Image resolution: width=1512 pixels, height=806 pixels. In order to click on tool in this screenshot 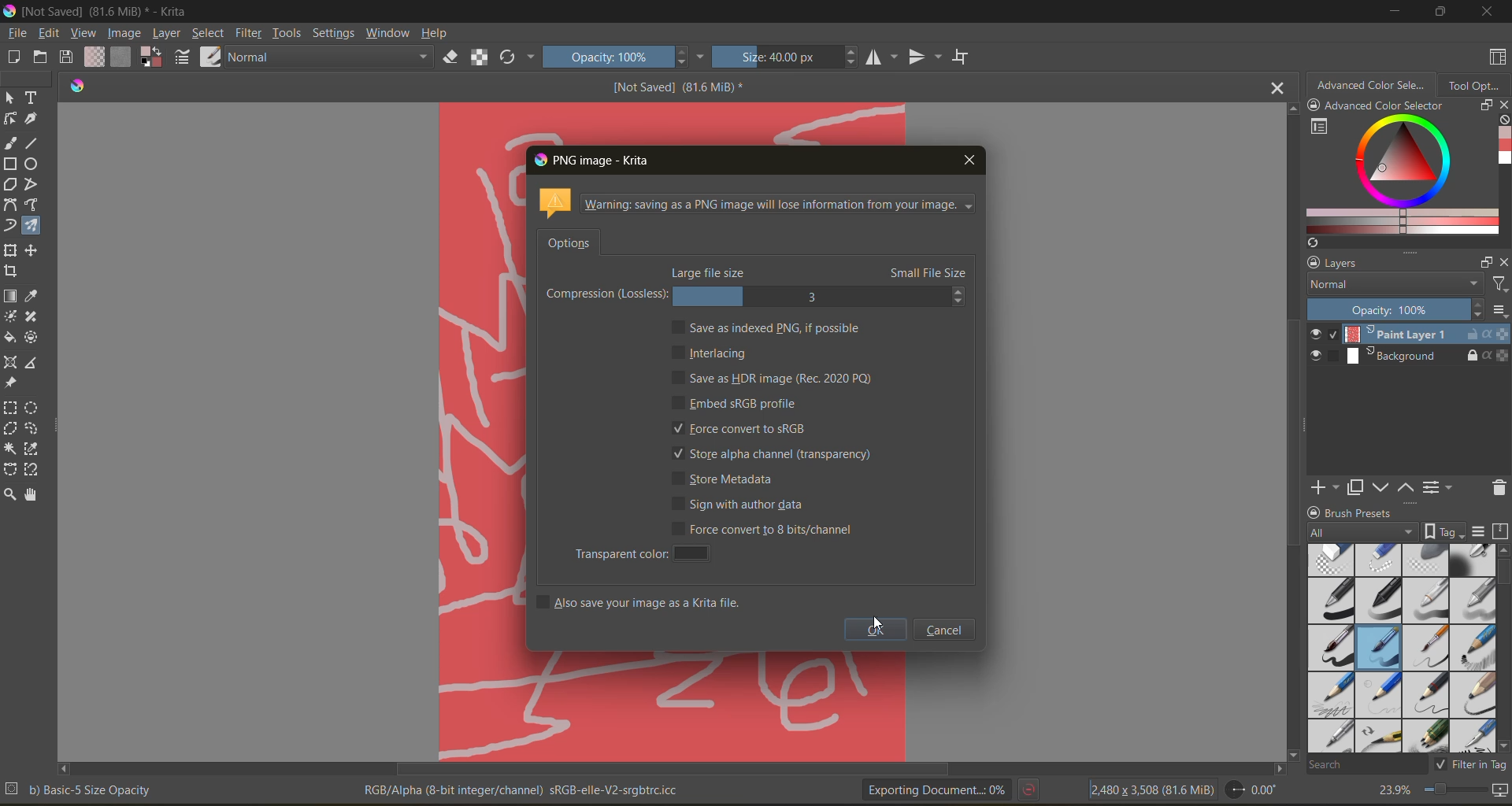, I will do `click(31, 494)`.